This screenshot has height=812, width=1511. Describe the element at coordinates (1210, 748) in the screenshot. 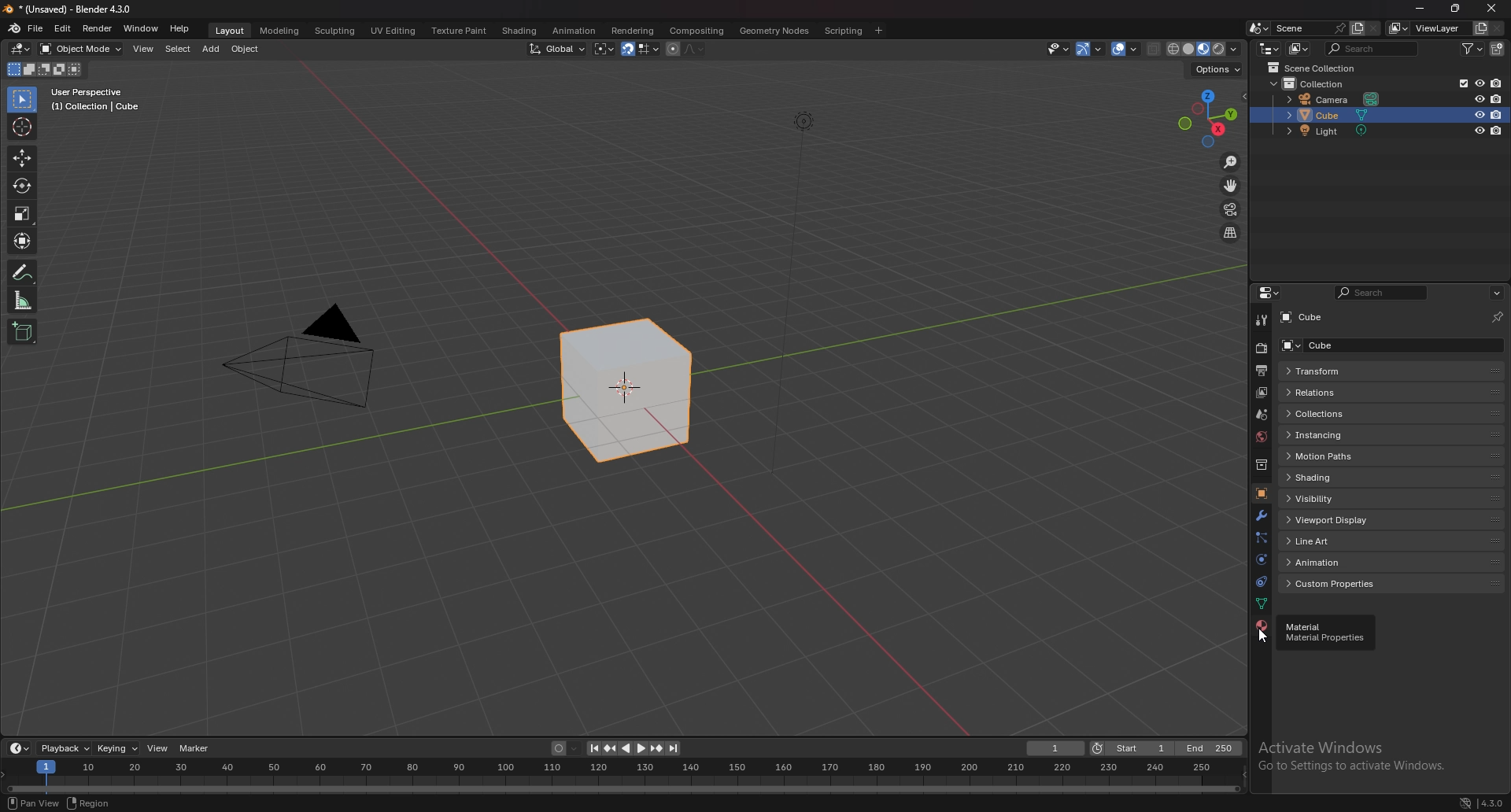

I see `end 250` at that location.